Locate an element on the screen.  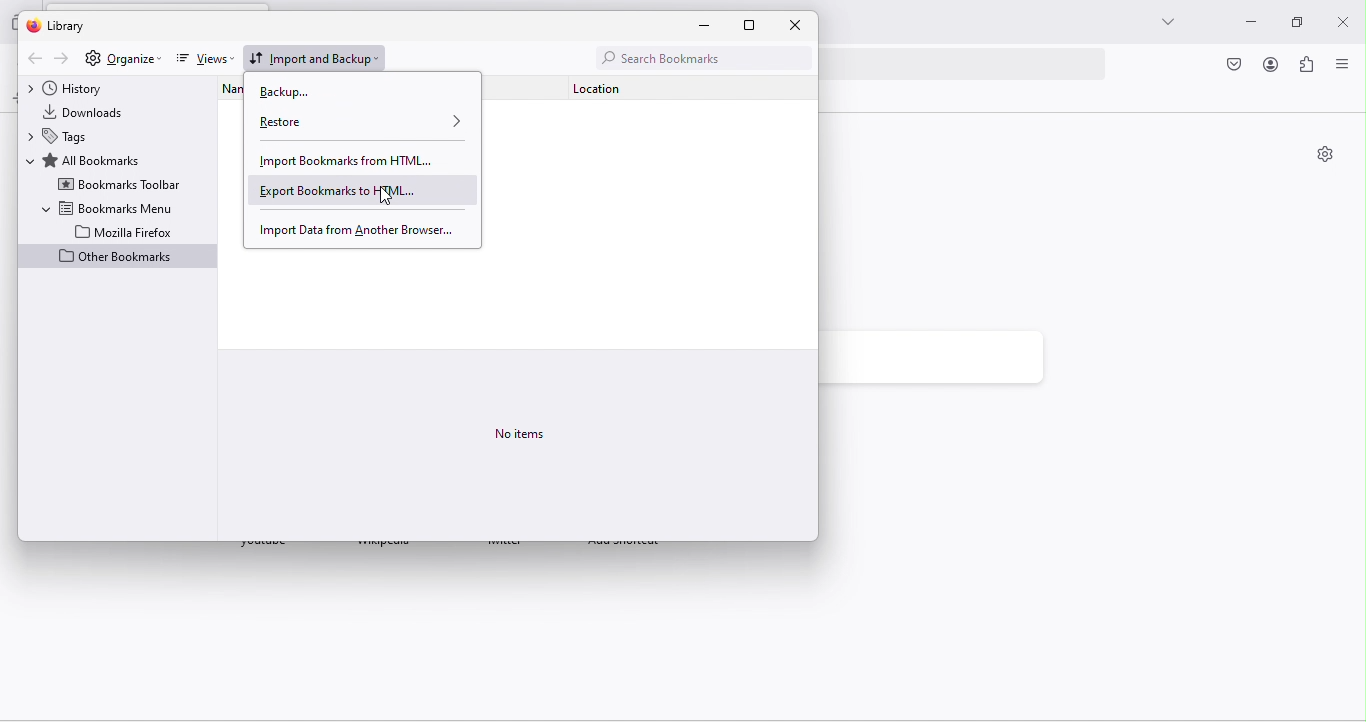
library is located at coordinates (69, 25).